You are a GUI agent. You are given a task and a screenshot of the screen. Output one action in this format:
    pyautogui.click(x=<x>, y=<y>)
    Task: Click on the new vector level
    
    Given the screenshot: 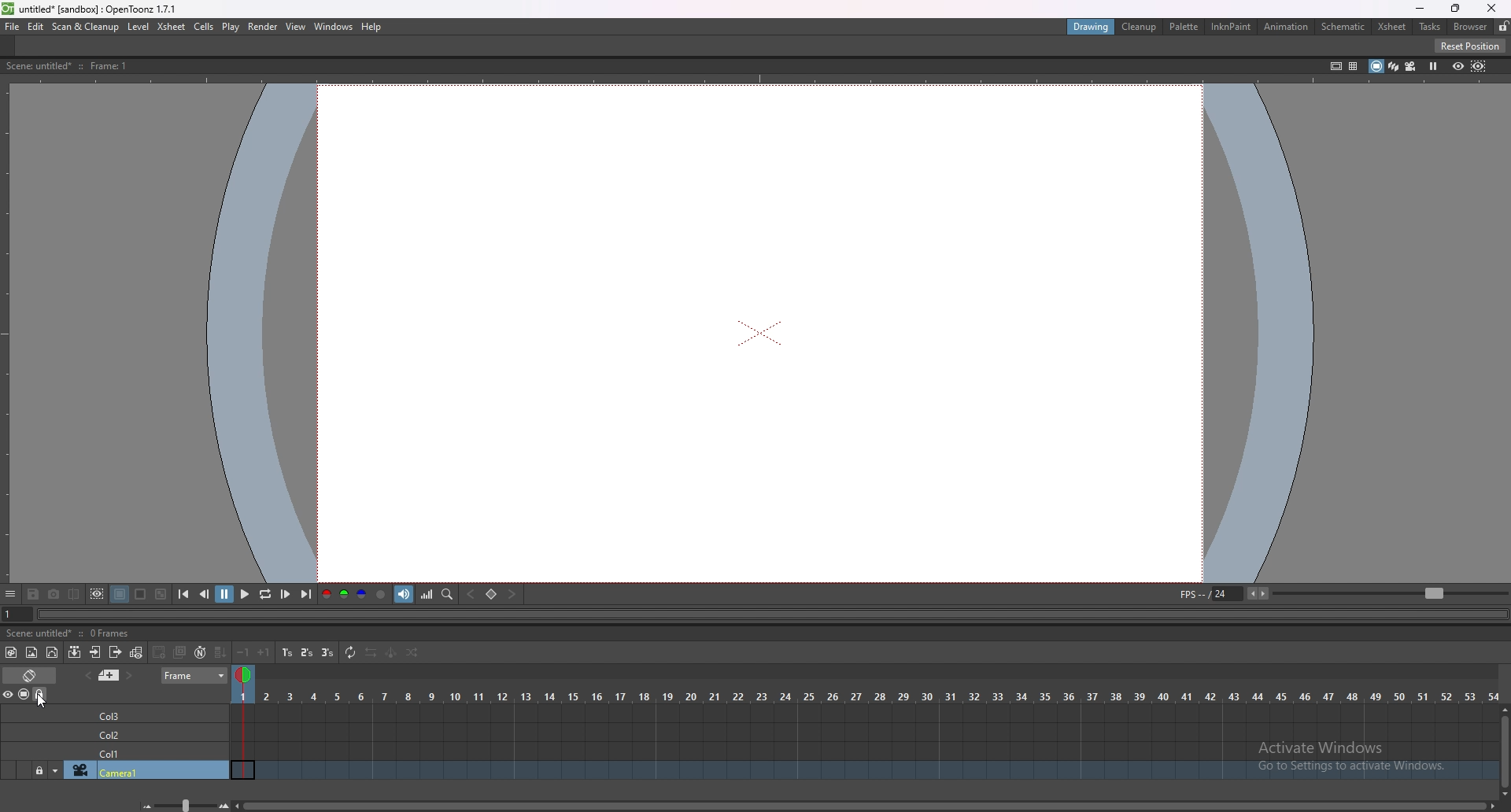 What is the action you would take?
    pyautogui.click(x=54, y=652)
    